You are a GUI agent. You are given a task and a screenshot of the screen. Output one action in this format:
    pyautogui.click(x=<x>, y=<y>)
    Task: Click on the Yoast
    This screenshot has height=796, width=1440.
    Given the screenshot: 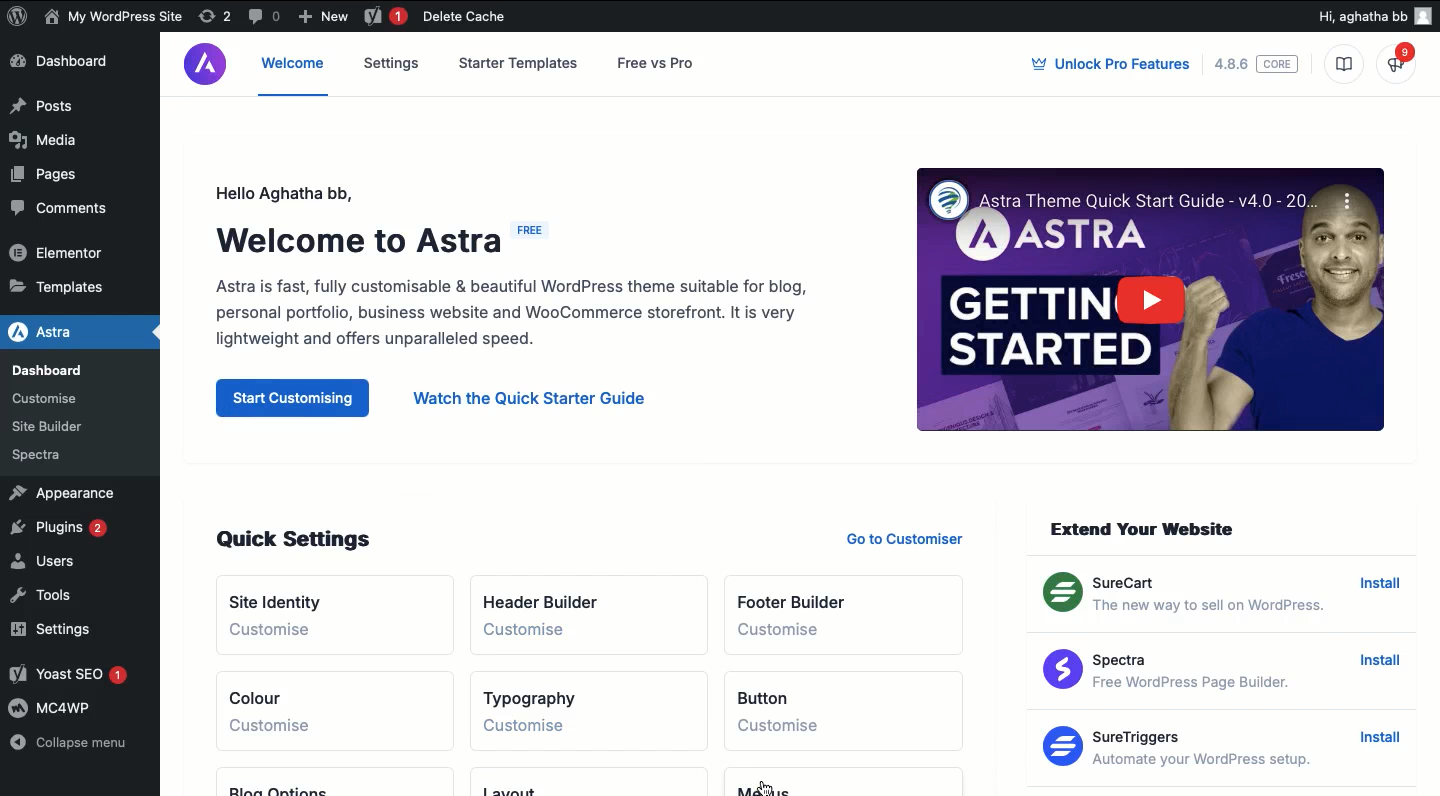 What is the action you would take?
    pyautogui.click(x=384, y=17)
    